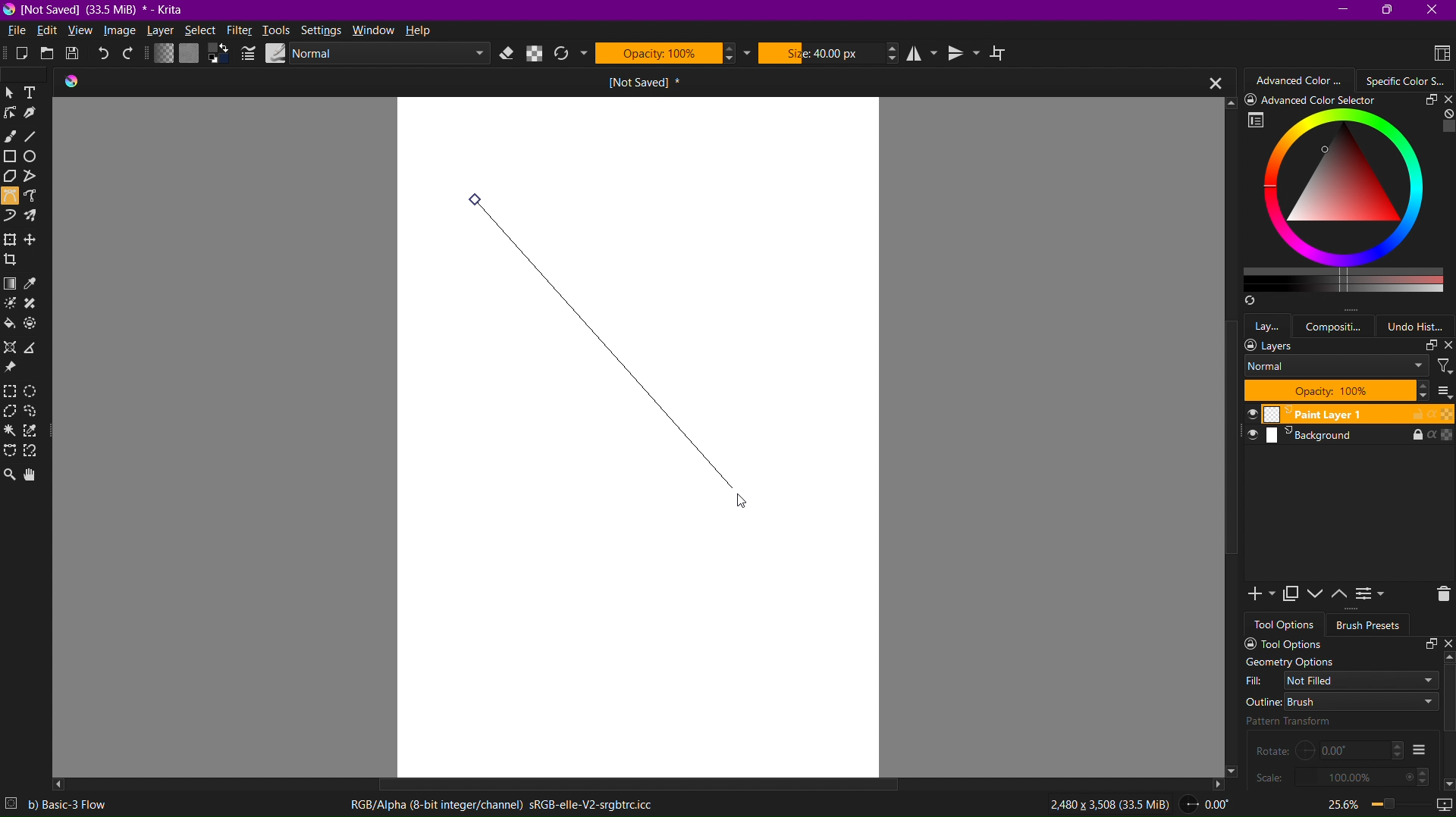 Image resolution: width=1456 pixels, height=817 pixels. I want to click on Colorize Mask Tool, so click(12, 305).